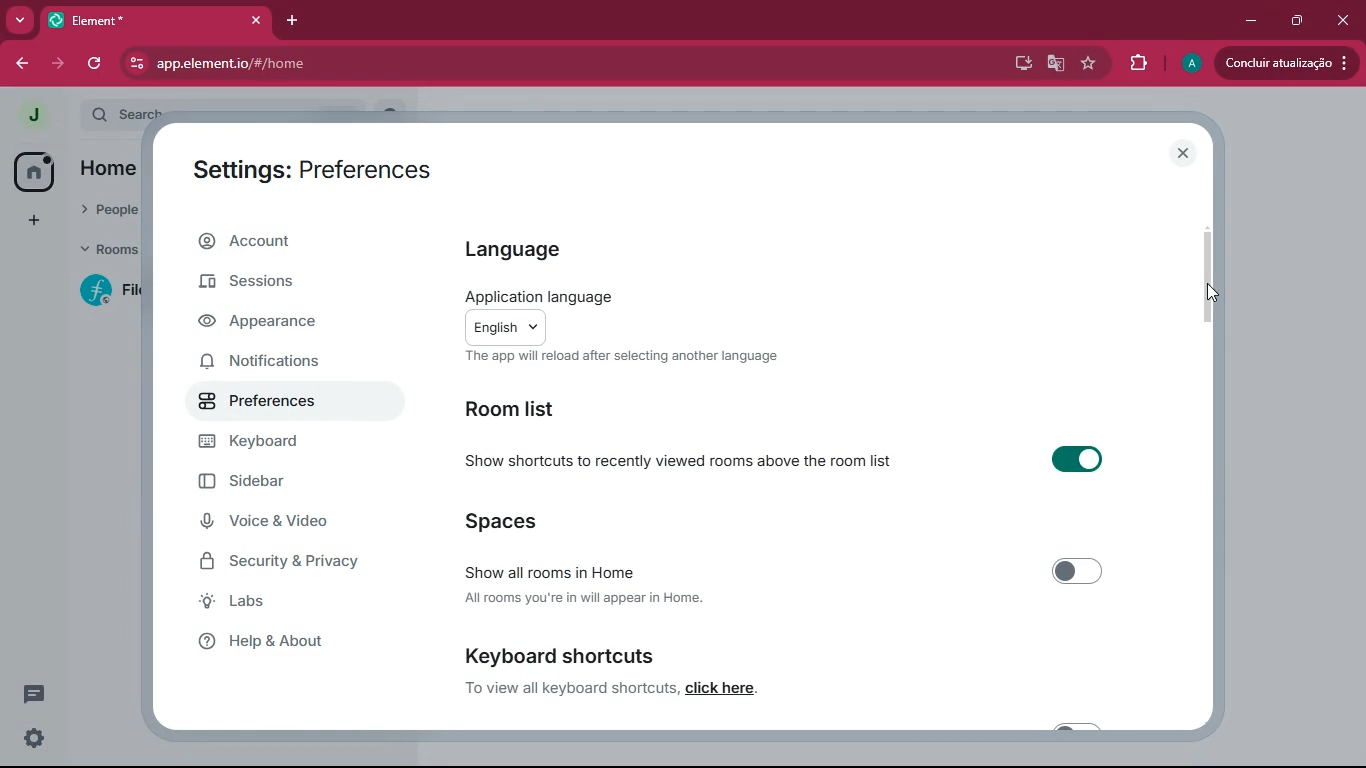  Describe the element at coordinates (220, 406) in the screenshot. I see `cursor` at that location.